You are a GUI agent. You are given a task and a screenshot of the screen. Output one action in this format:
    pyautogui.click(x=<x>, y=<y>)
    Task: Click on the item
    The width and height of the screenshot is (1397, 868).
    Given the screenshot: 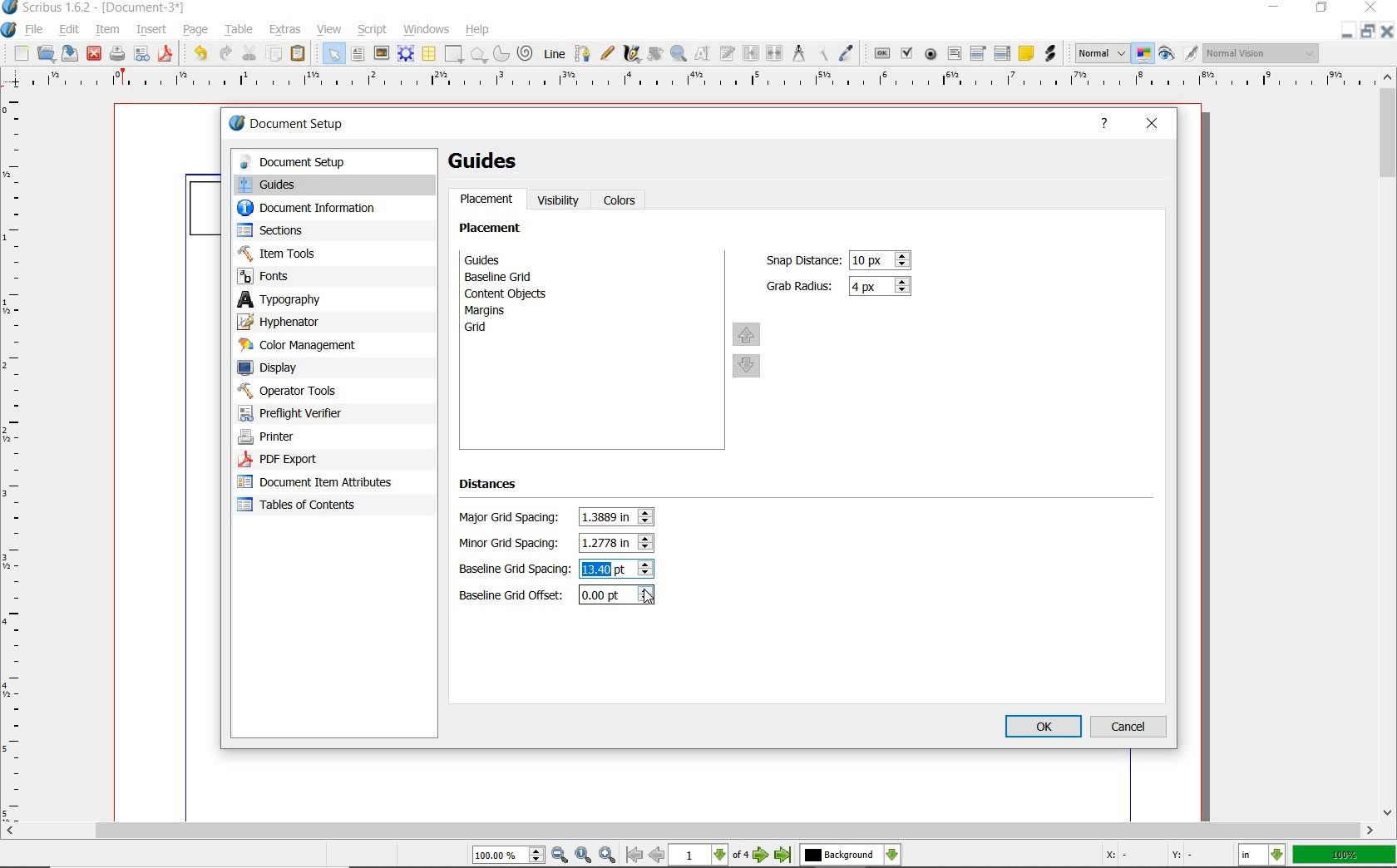 What is the action you would take?
    pyautogui.click(x=107, y=31)
    